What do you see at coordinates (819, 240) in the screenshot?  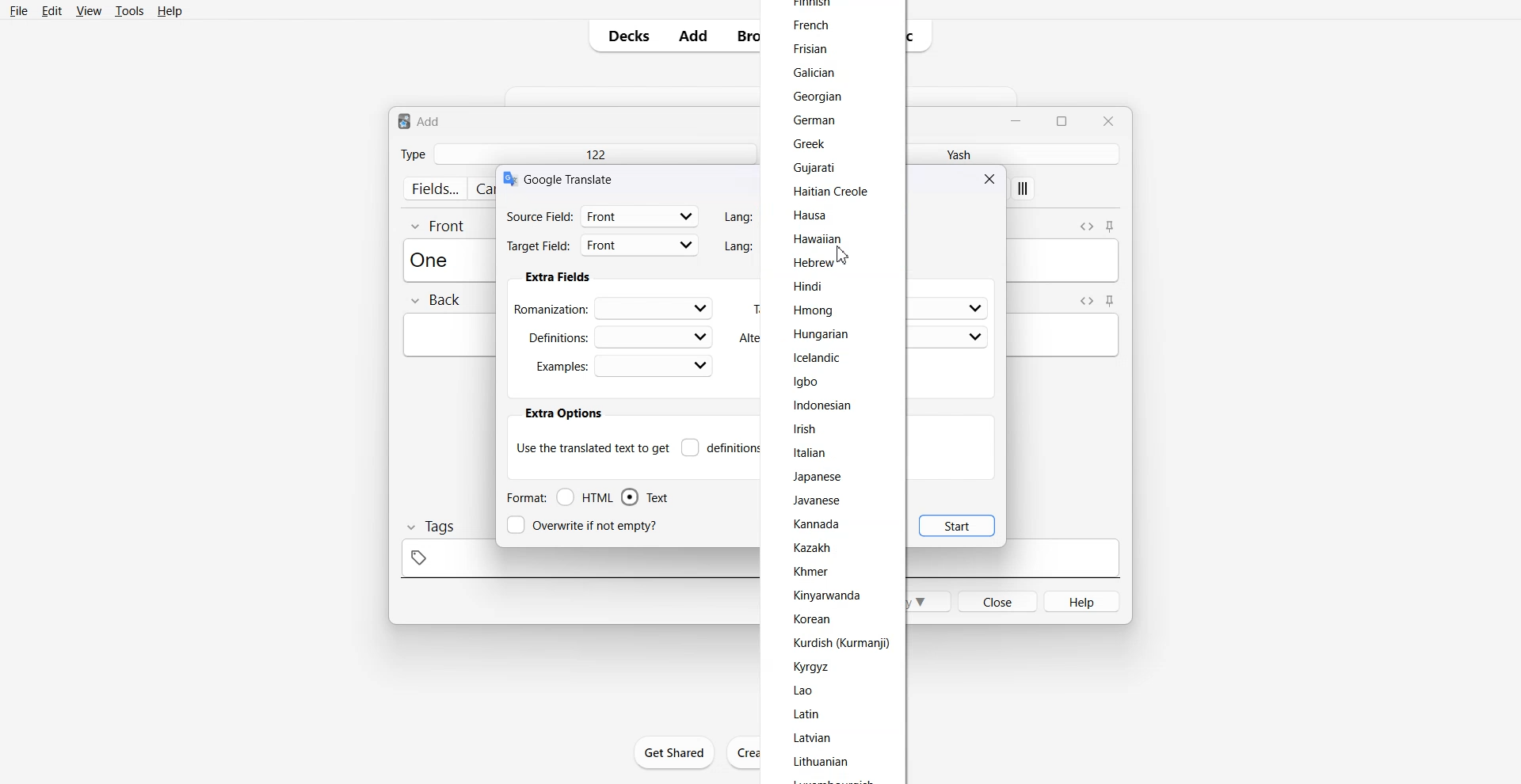 I see `Hawaiian` at bounding box center [819, 240].